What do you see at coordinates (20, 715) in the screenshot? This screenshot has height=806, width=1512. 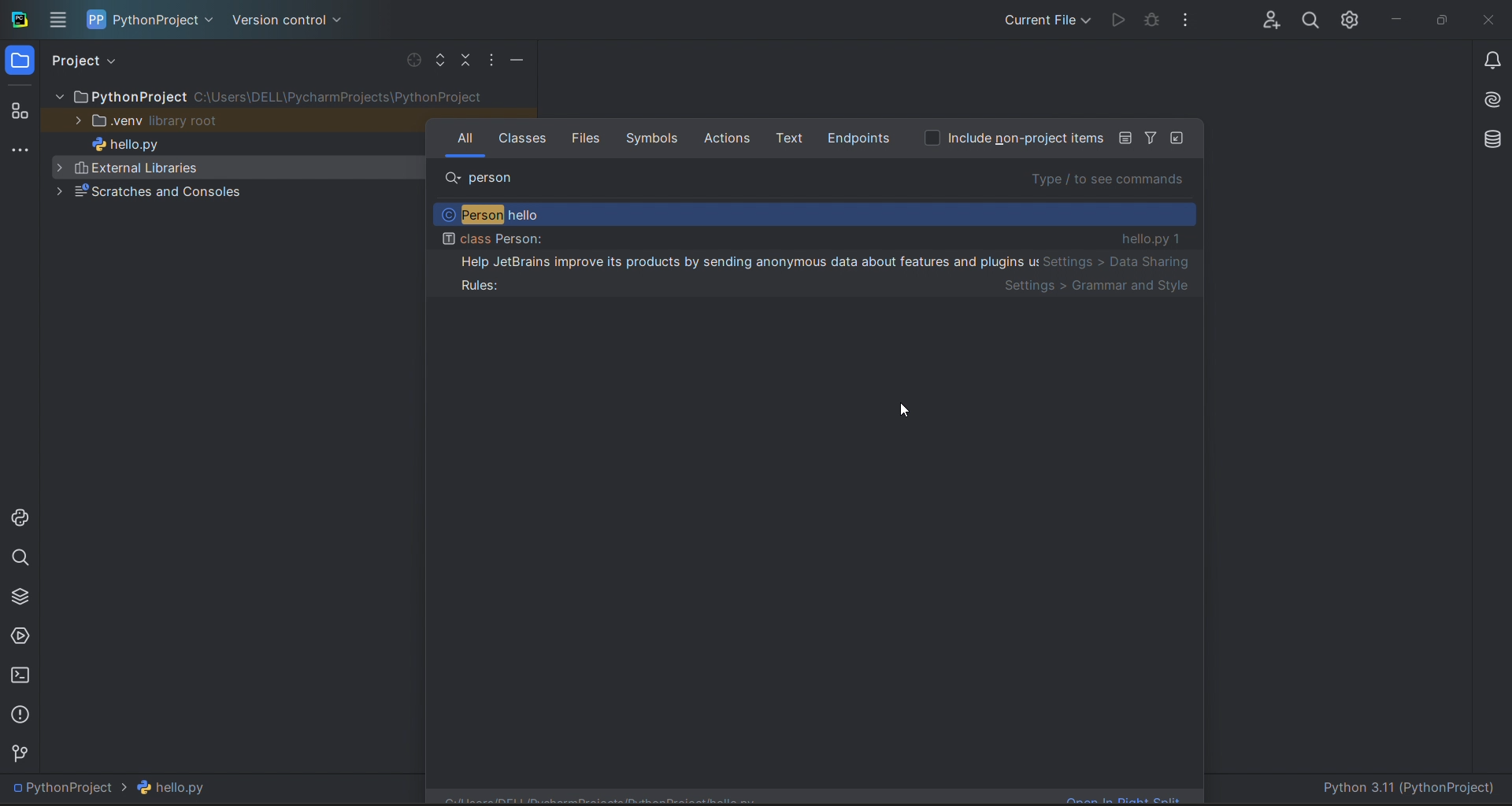 I see `problems` at bounding box center [20, 715].